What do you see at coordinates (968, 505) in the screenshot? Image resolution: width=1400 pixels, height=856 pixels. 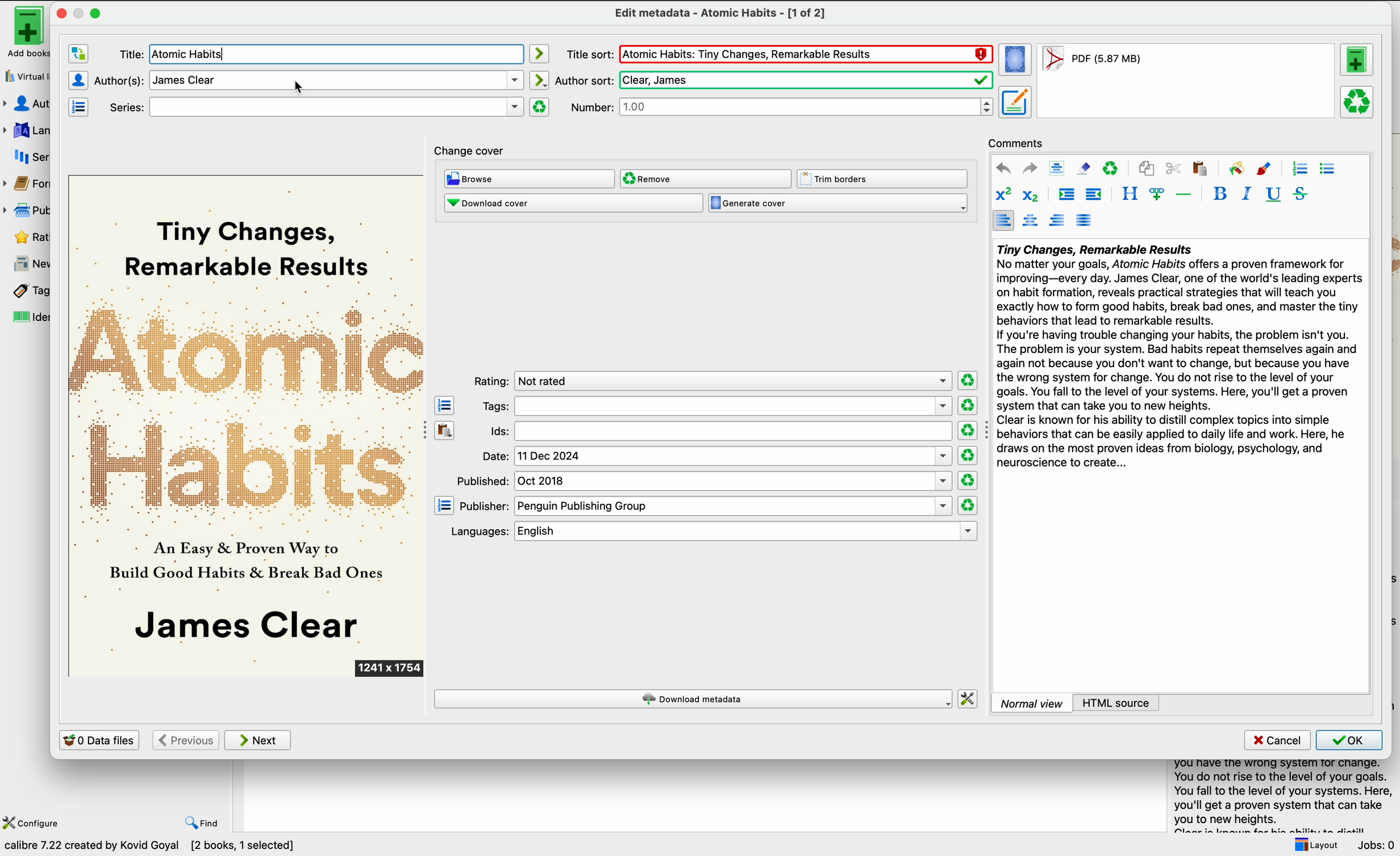 I see `clear rating` at bounding box center [968, 505].